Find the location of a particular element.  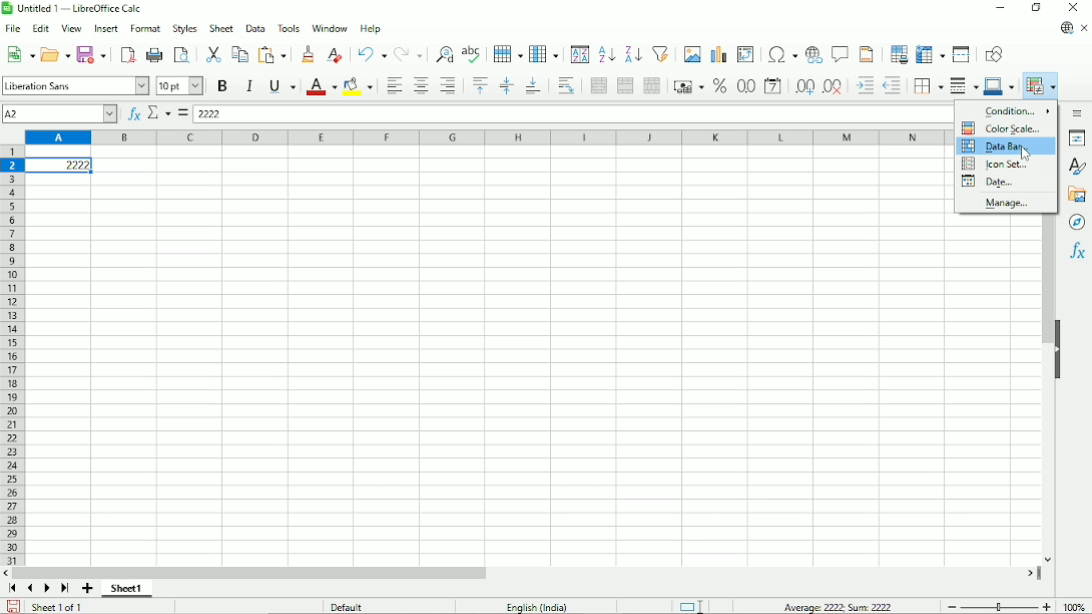

Insert or edit pivot table is located at coordinates (746, 54).